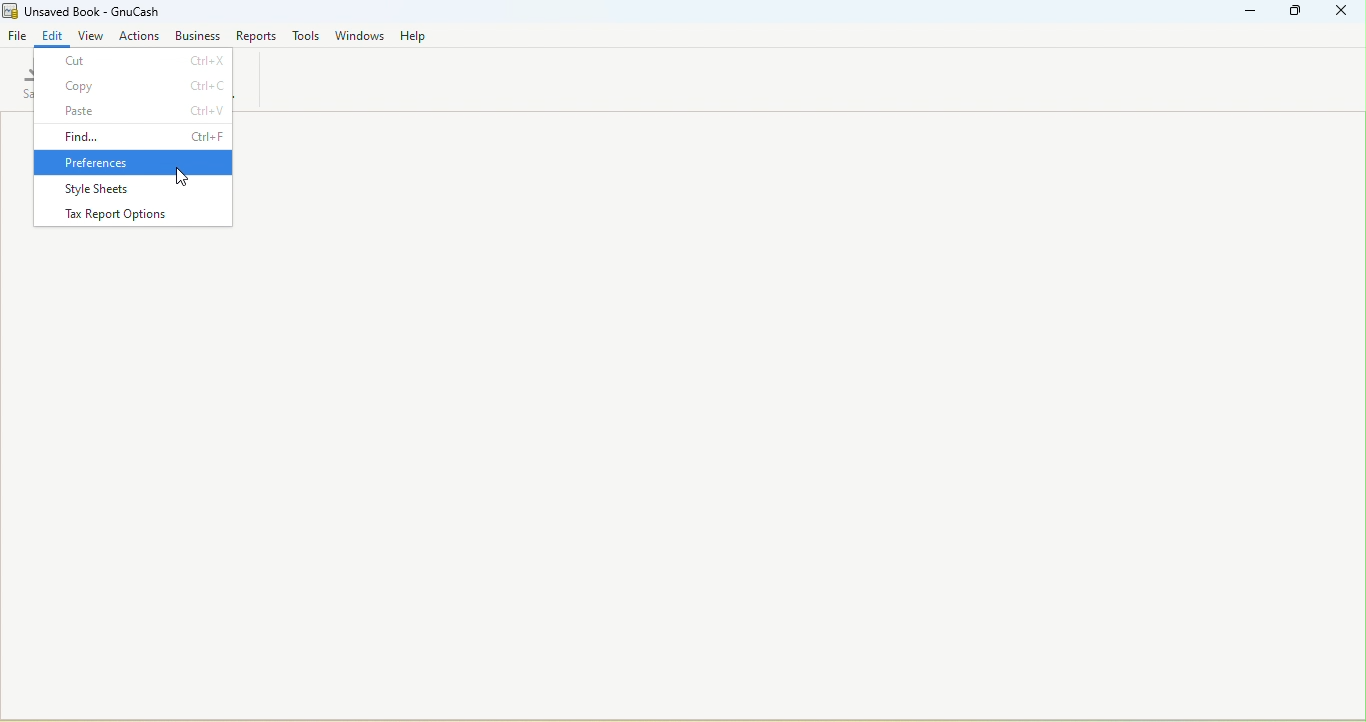 Image resolution: width=1366 pixels, height=722 pixels. Describe the element at coordinates (134, 61) in the screenshot. I see `Cut` at that location.